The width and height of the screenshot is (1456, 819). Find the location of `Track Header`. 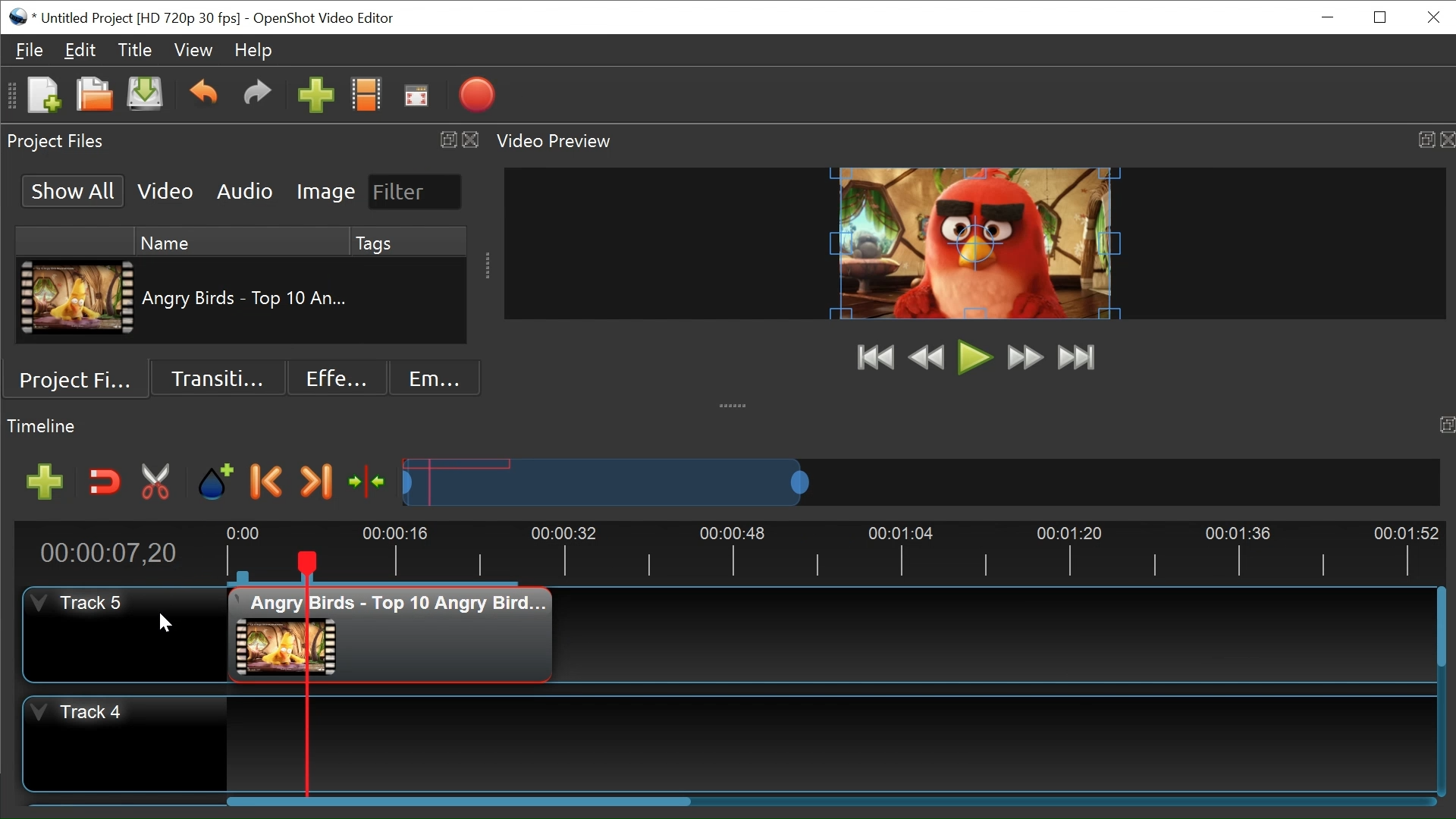

Track Header is located at coordinates (126, 744).